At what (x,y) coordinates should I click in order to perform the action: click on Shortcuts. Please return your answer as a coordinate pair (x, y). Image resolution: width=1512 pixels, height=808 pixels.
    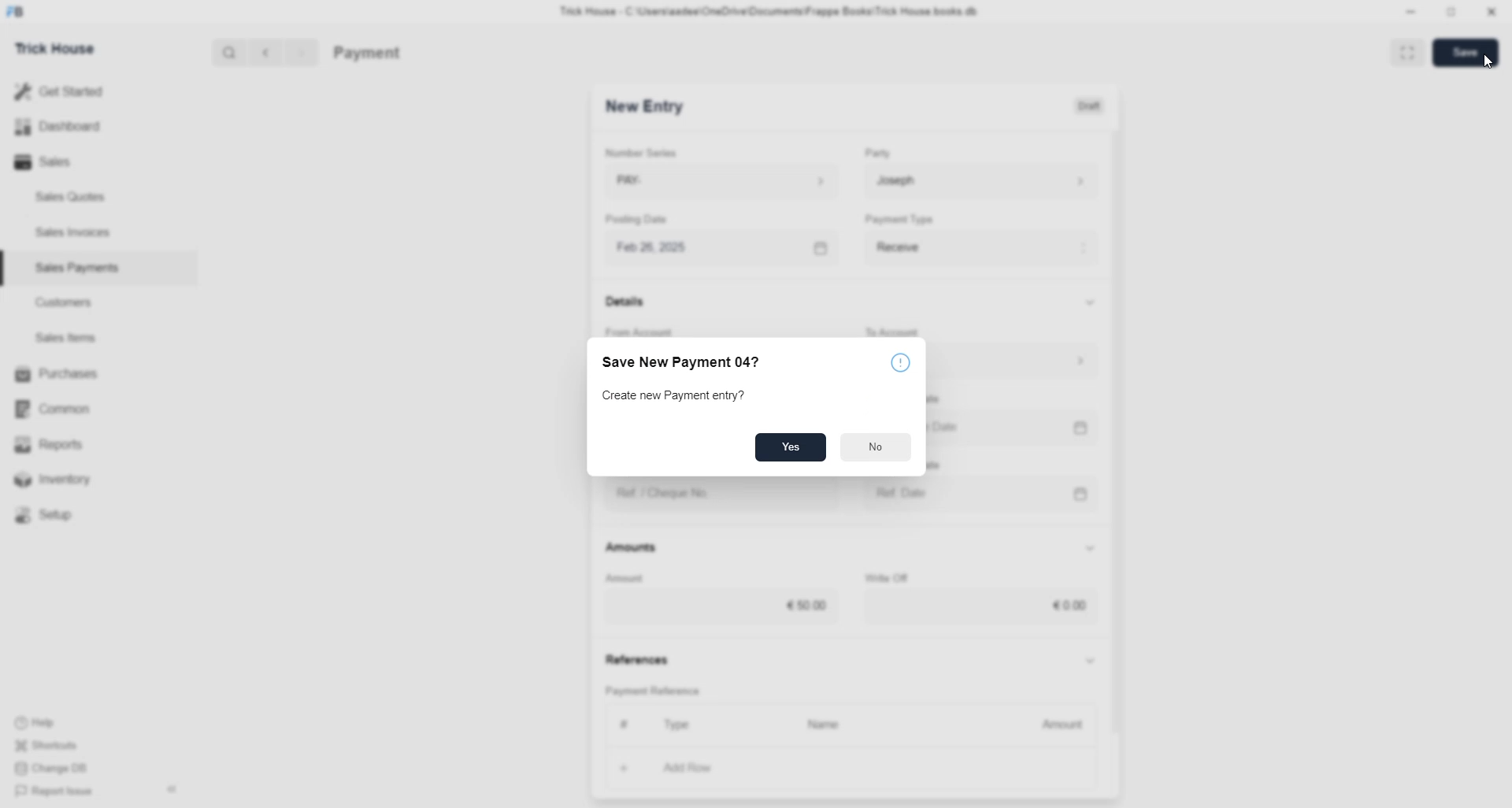
    Looking at the image, I should click on (53, 743).